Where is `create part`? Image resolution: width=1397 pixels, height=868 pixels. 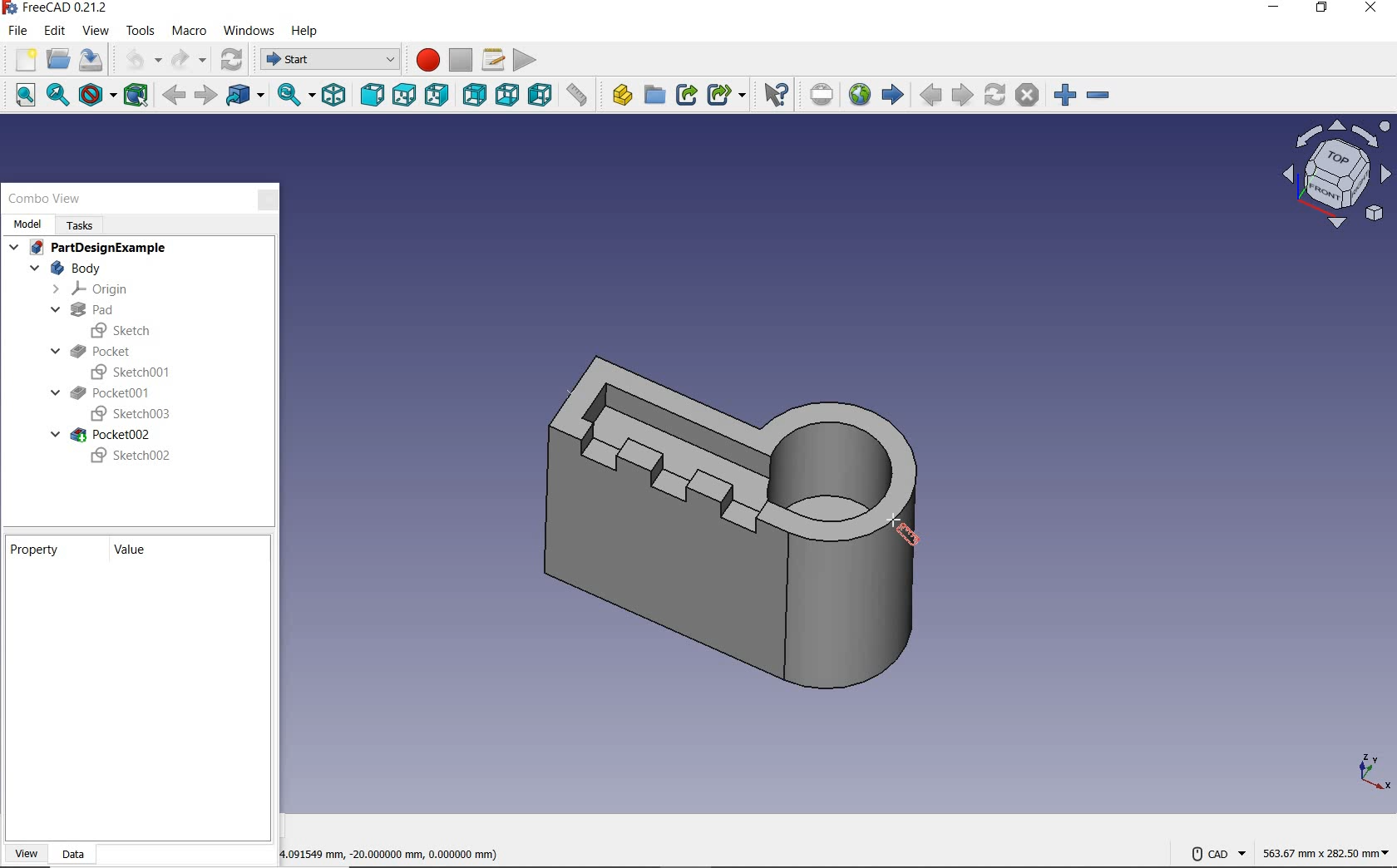 create part is located at coordinates (618, 96).